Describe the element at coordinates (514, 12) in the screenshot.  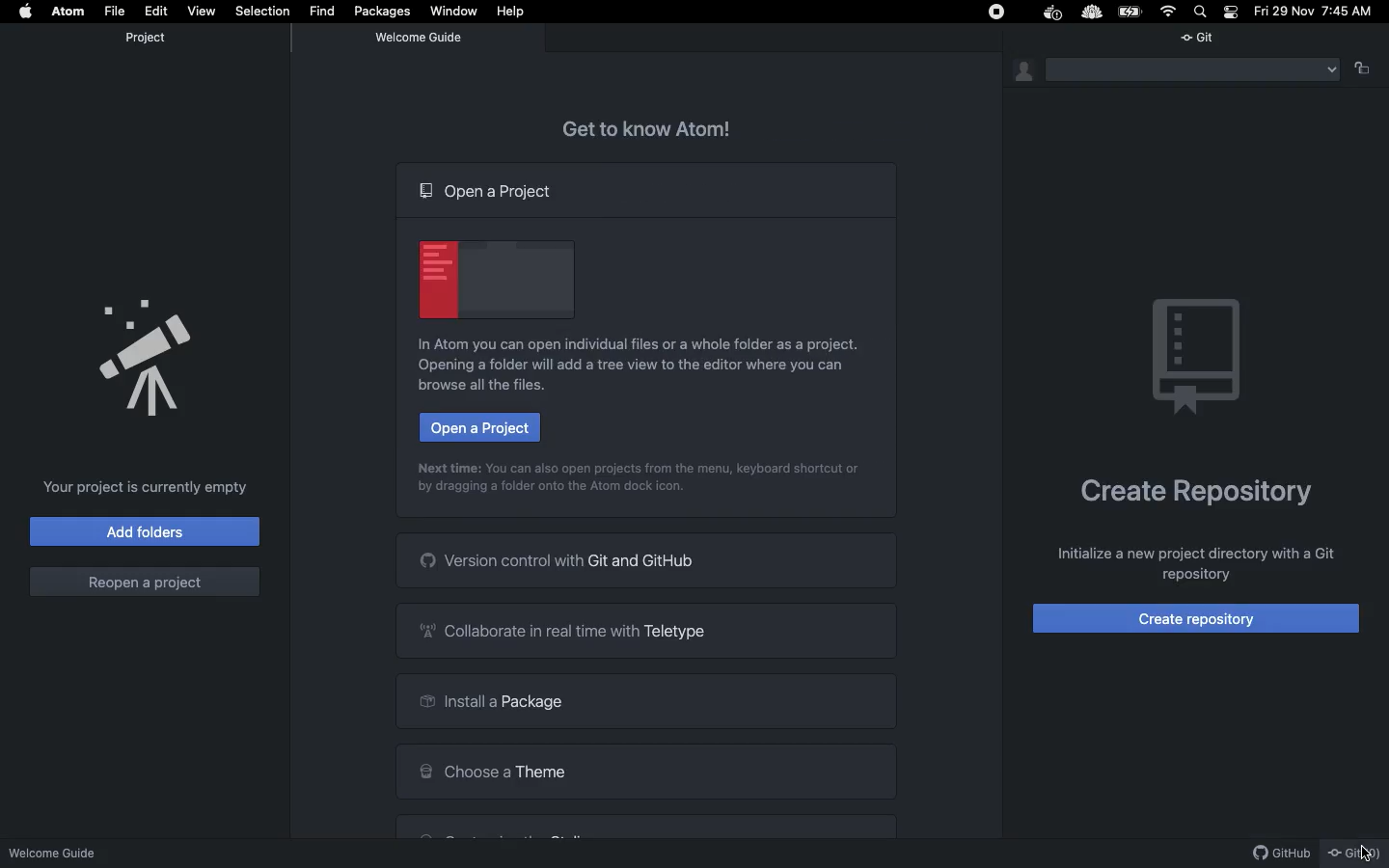
I see `Help` at that location.